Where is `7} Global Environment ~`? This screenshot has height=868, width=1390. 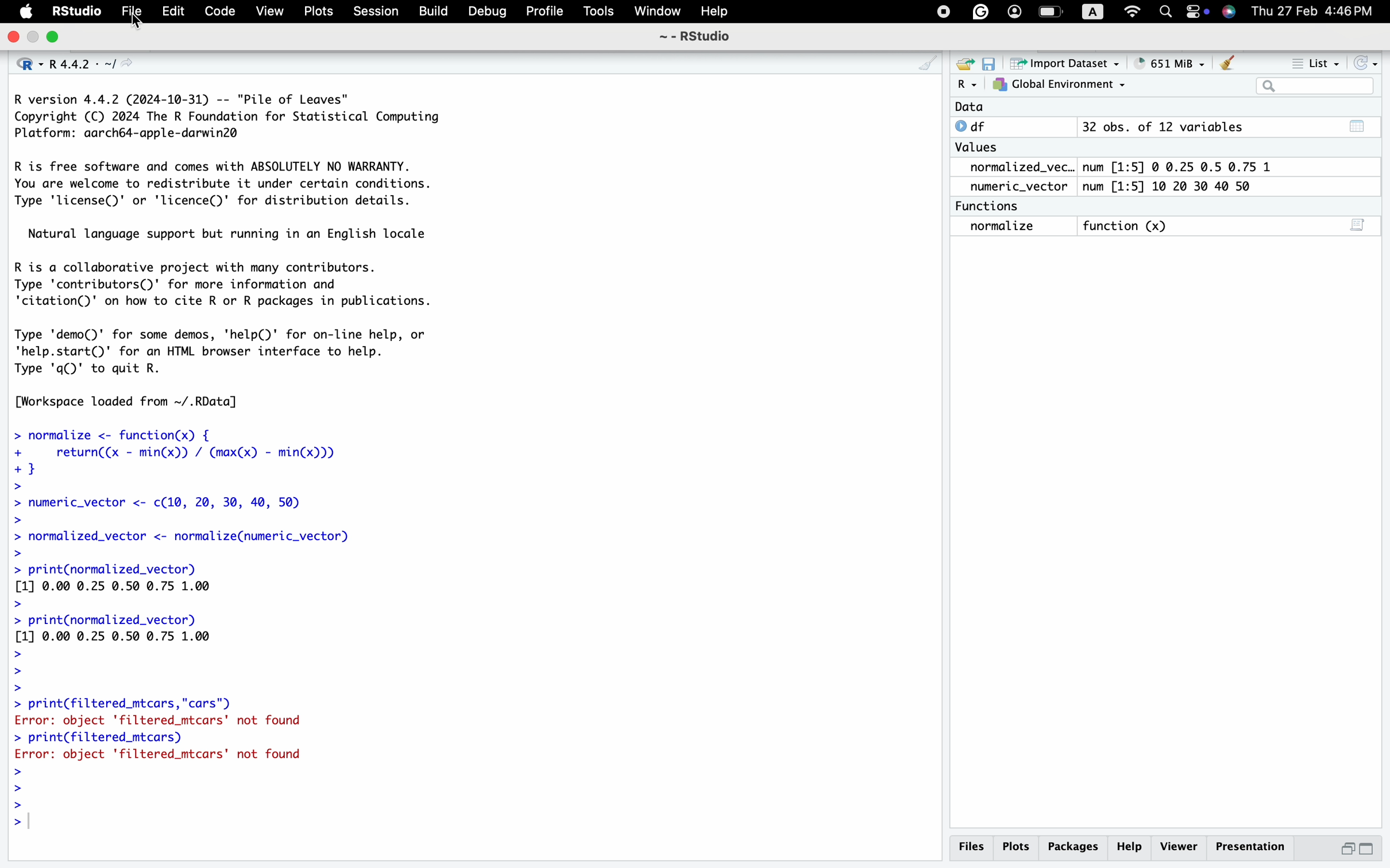
7} Global Environment ~ is located at coordinates (1062, 84).